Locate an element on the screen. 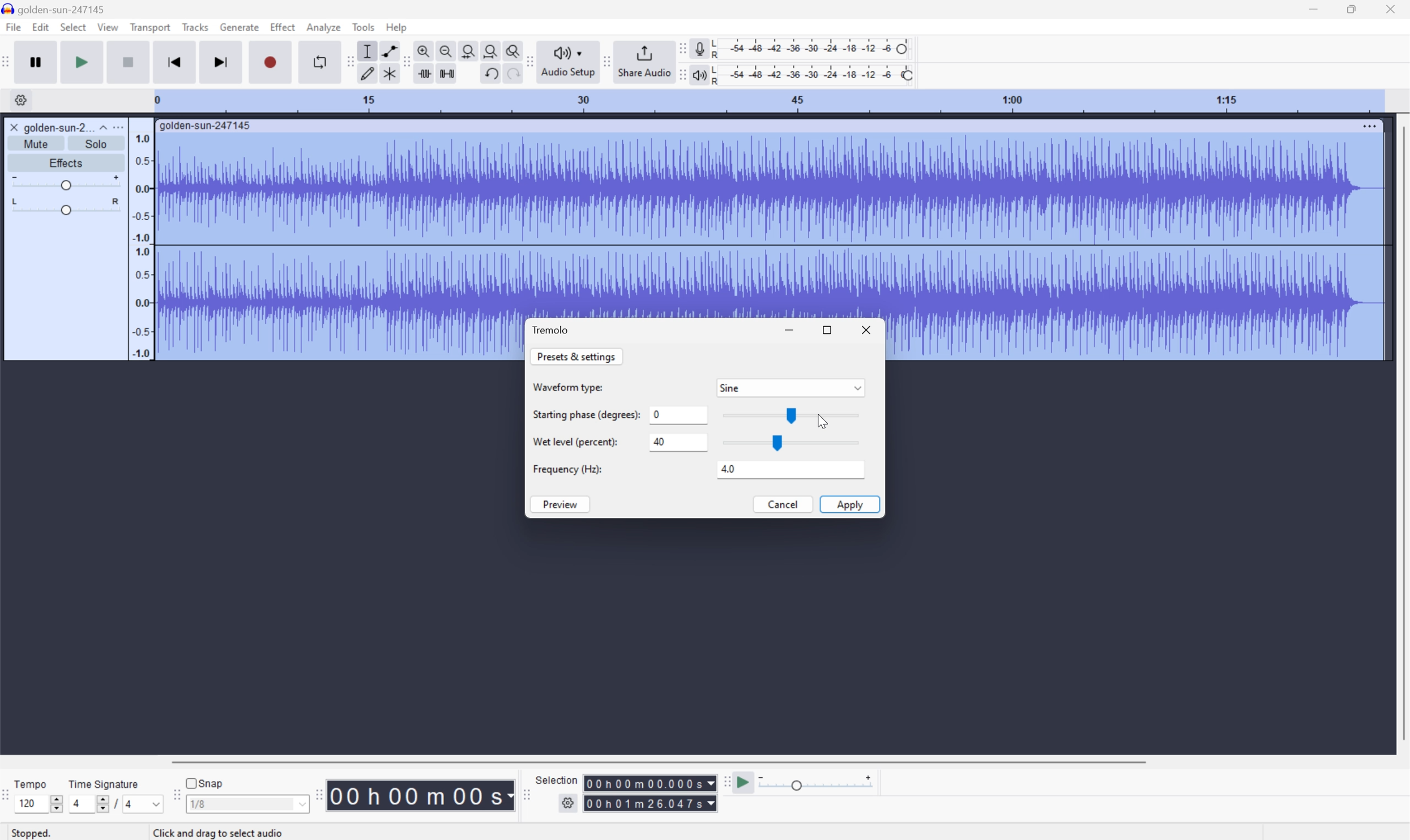  Sine is located at coordinates (780, 388).